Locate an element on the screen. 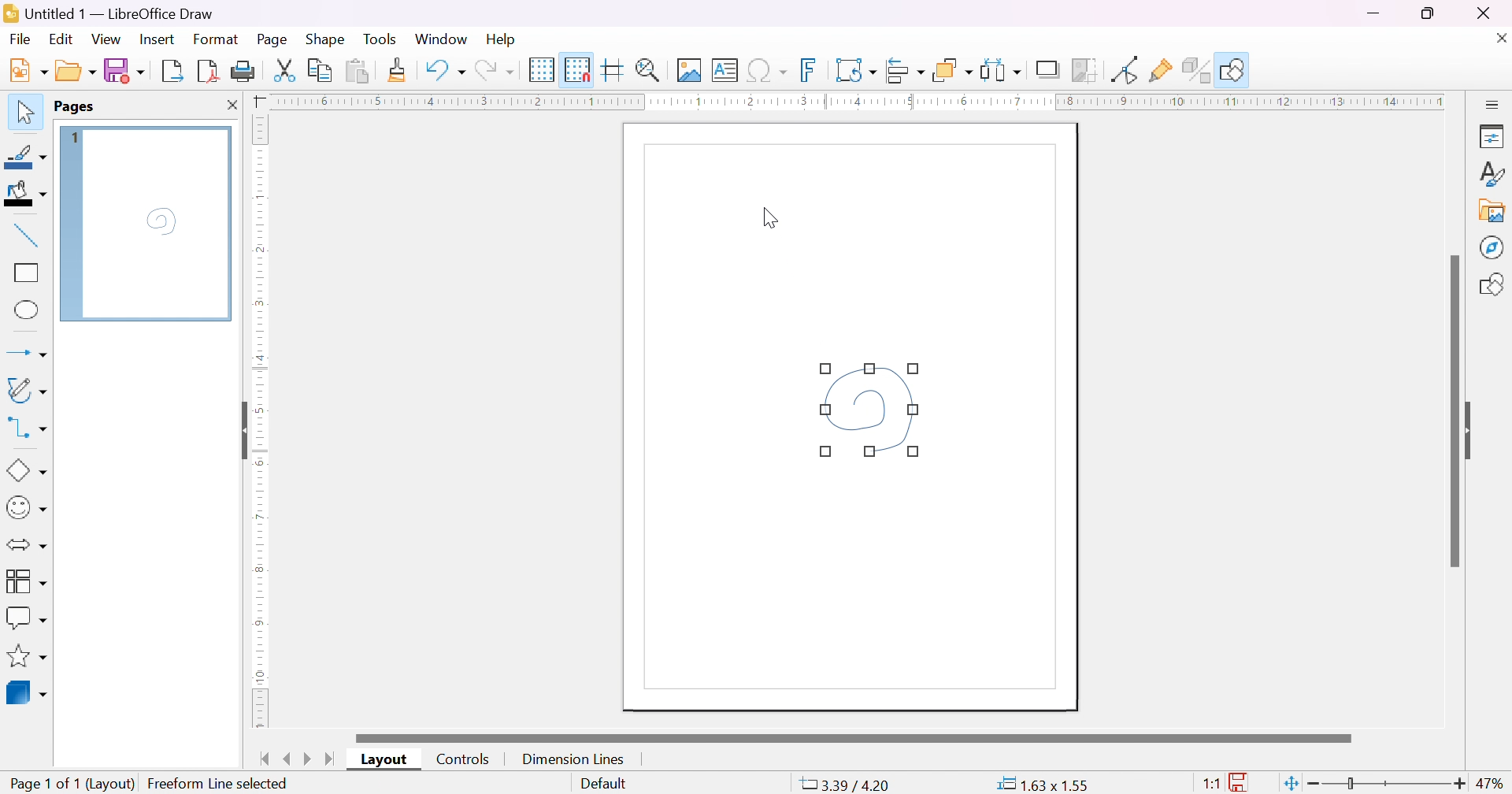 The height and width of the screenshot is (794, 1512). tools is located at coordinates (382, 38).